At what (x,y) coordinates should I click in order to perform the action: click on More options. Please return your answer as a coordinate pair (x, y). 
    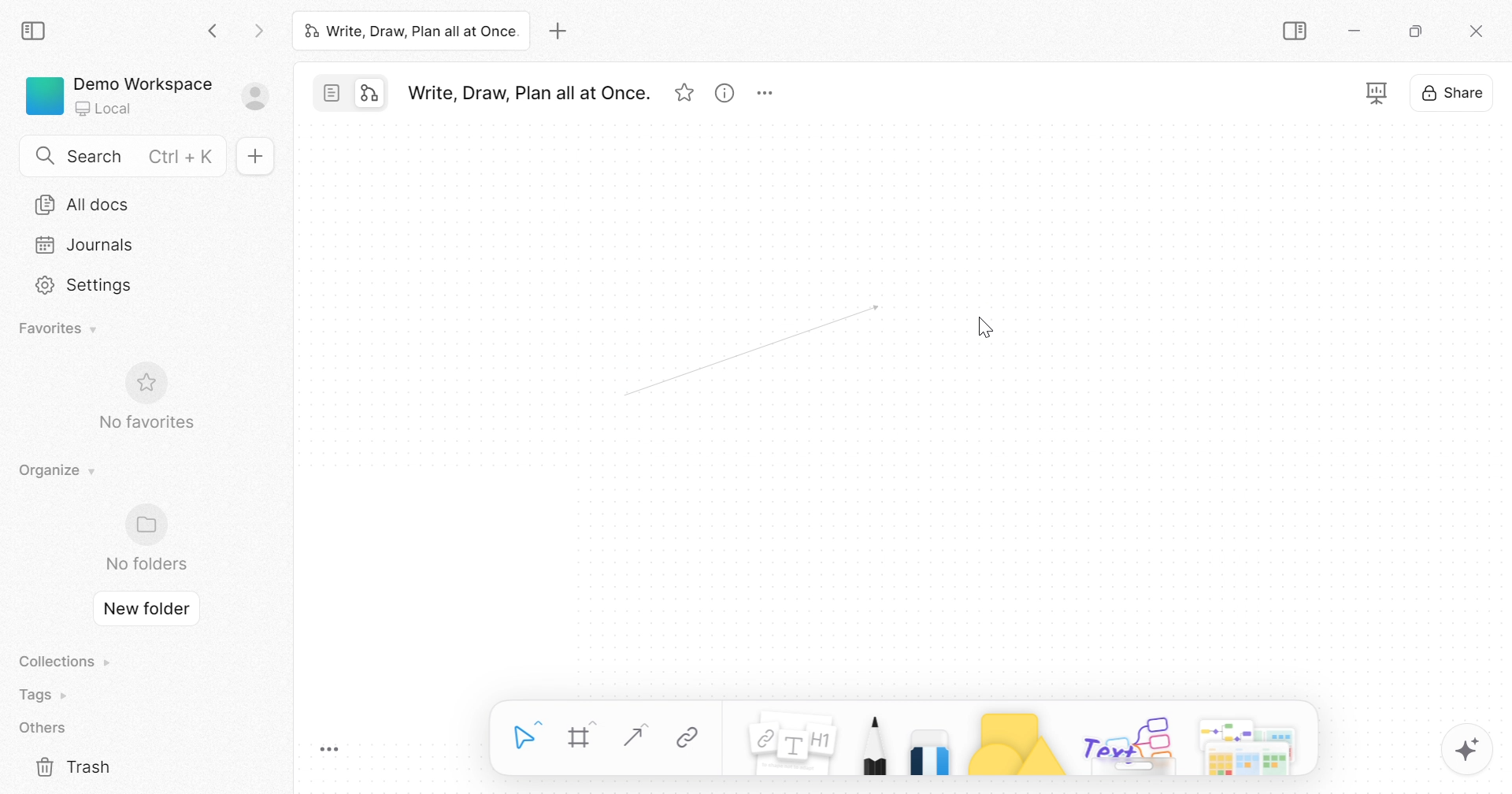
    Looking at the image, I should click on (769, 94).